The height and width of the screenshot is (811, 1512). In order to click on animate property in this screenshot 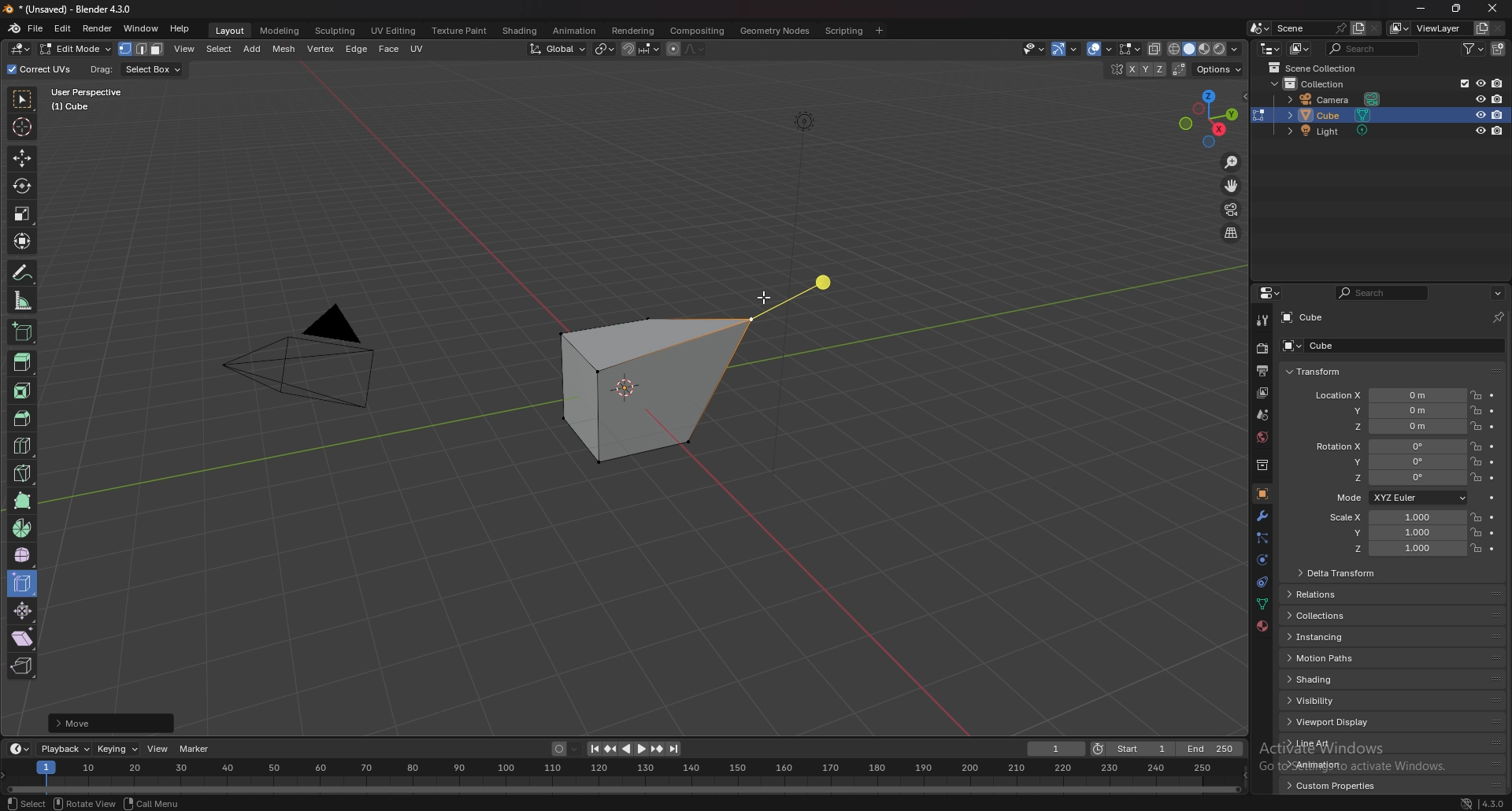, I will do `click(1492, 412)`.